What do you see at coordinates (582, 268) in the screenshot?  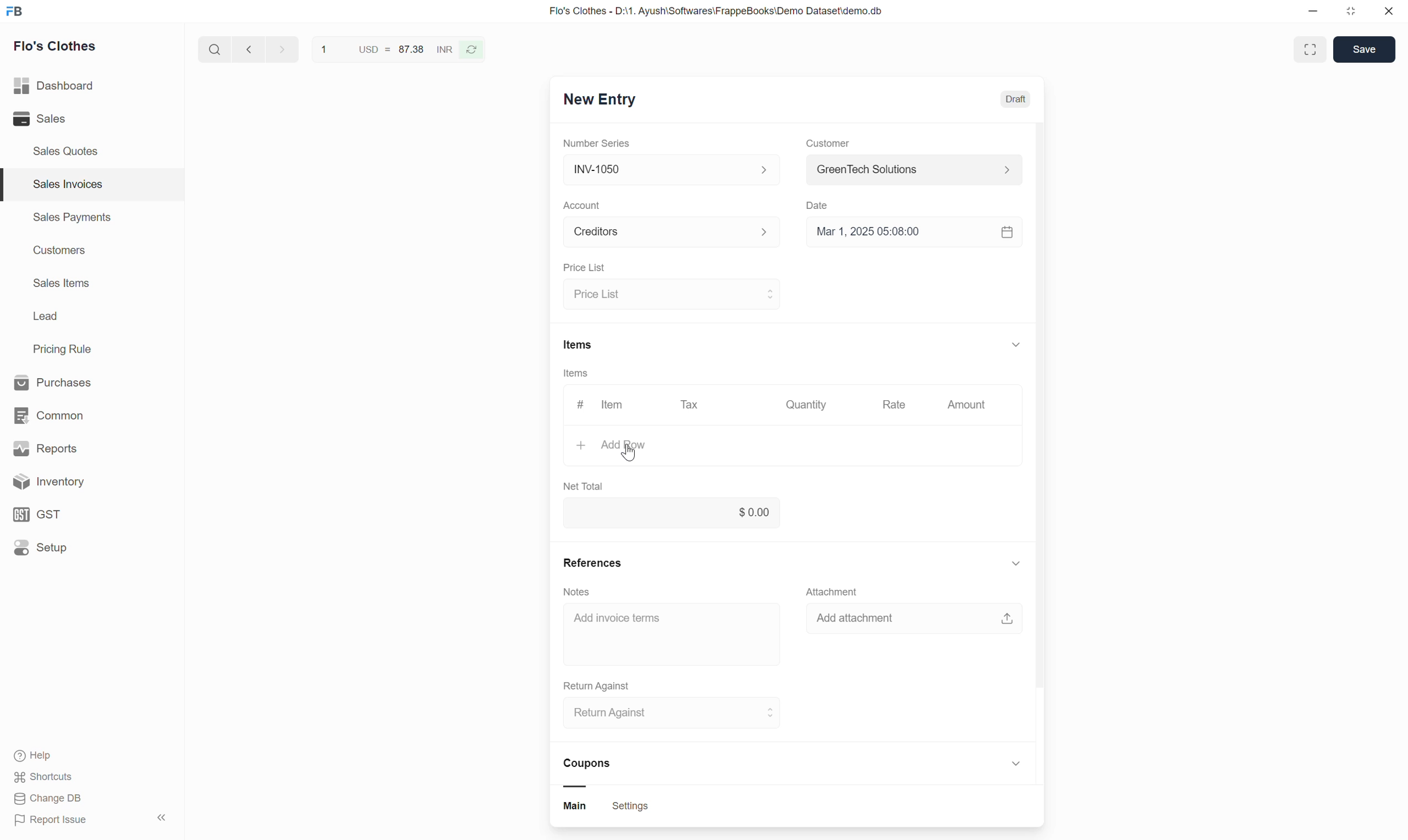 I see `Price List` at bounding box center [582, 268].